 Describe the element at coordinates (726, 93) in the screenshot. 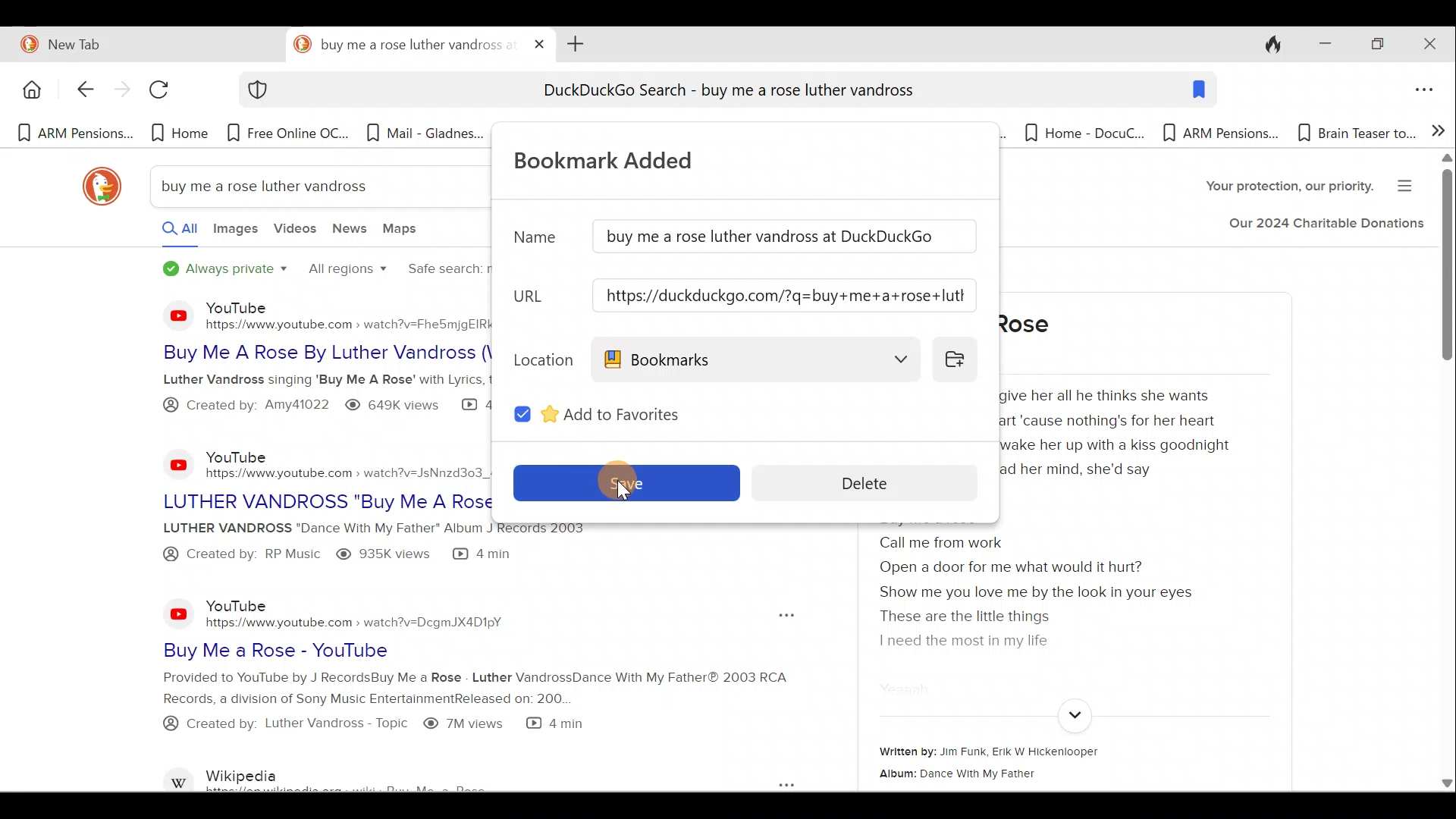

I see `DuckDuckGo Search - buy me a rose luther vandross` at that location.